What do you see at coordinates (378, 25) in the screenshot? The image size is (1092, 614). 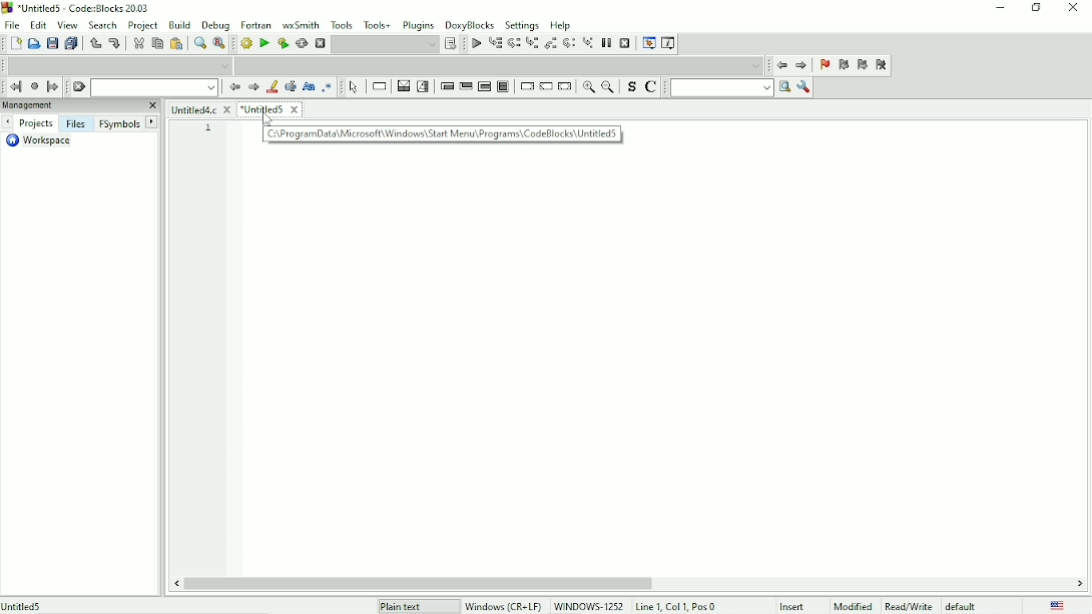 I see `Tools+` at bounding box center [378, 25].